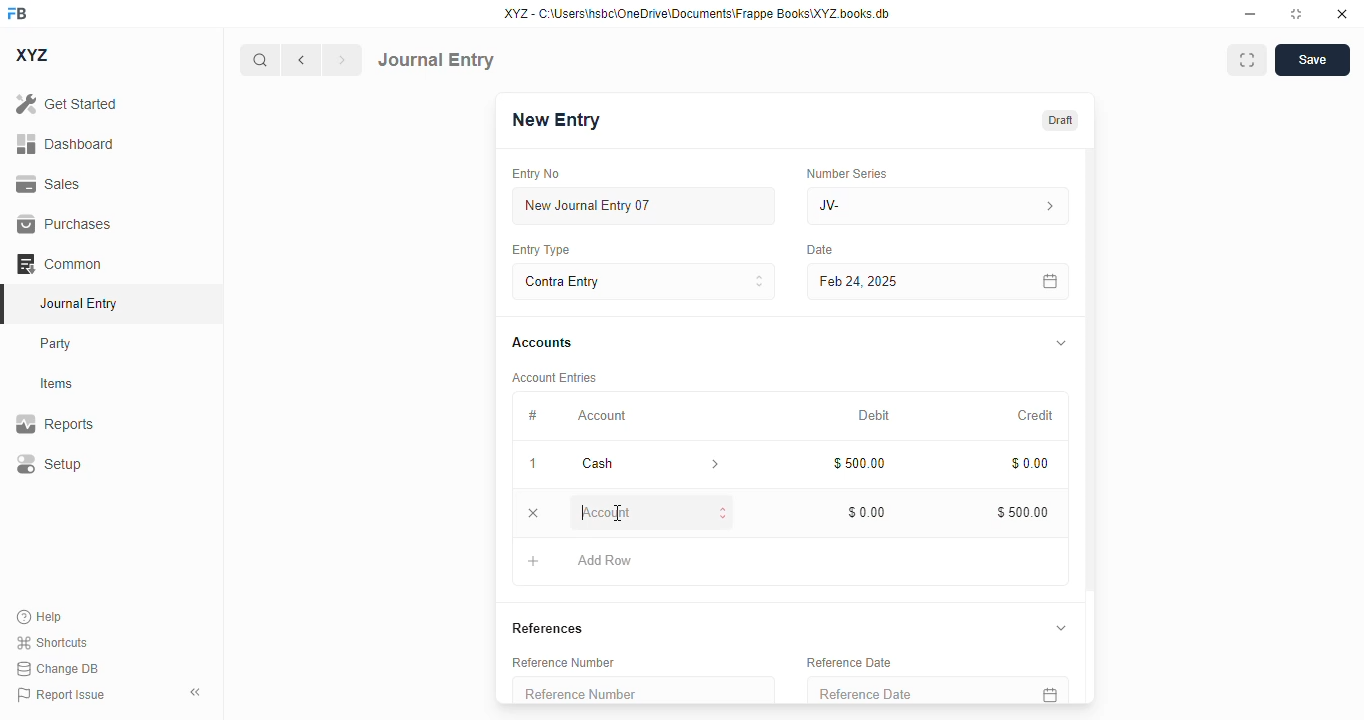 This screenshot has width=1364, height=720. What do you see at coordinates (820, 250) in the screenshot?
I see `date` at bounding box center [820, 250].